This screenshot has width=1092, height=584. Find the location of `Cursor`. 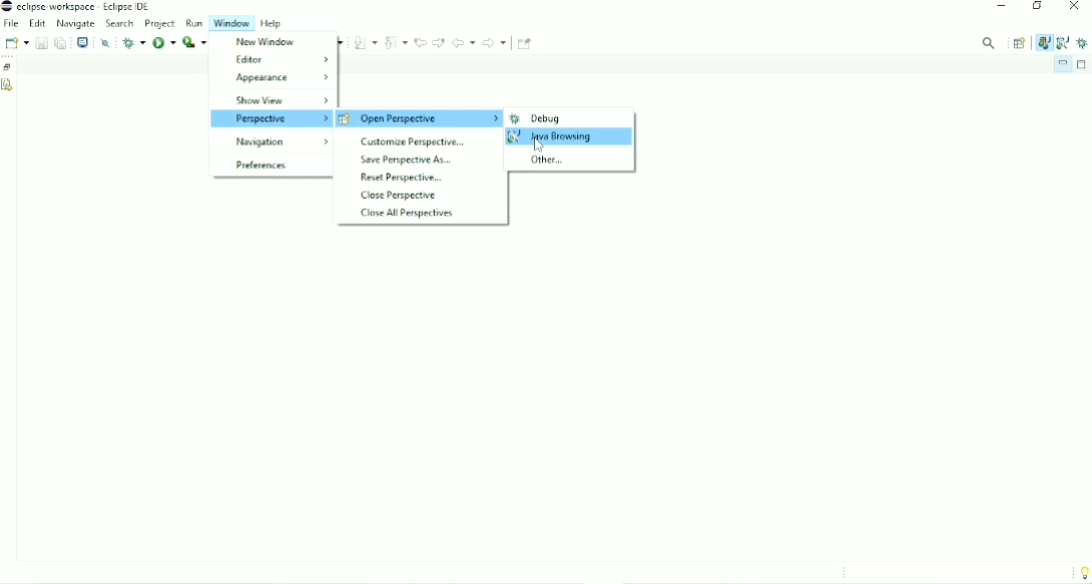

Cursor is located at coordinates (537, 146).